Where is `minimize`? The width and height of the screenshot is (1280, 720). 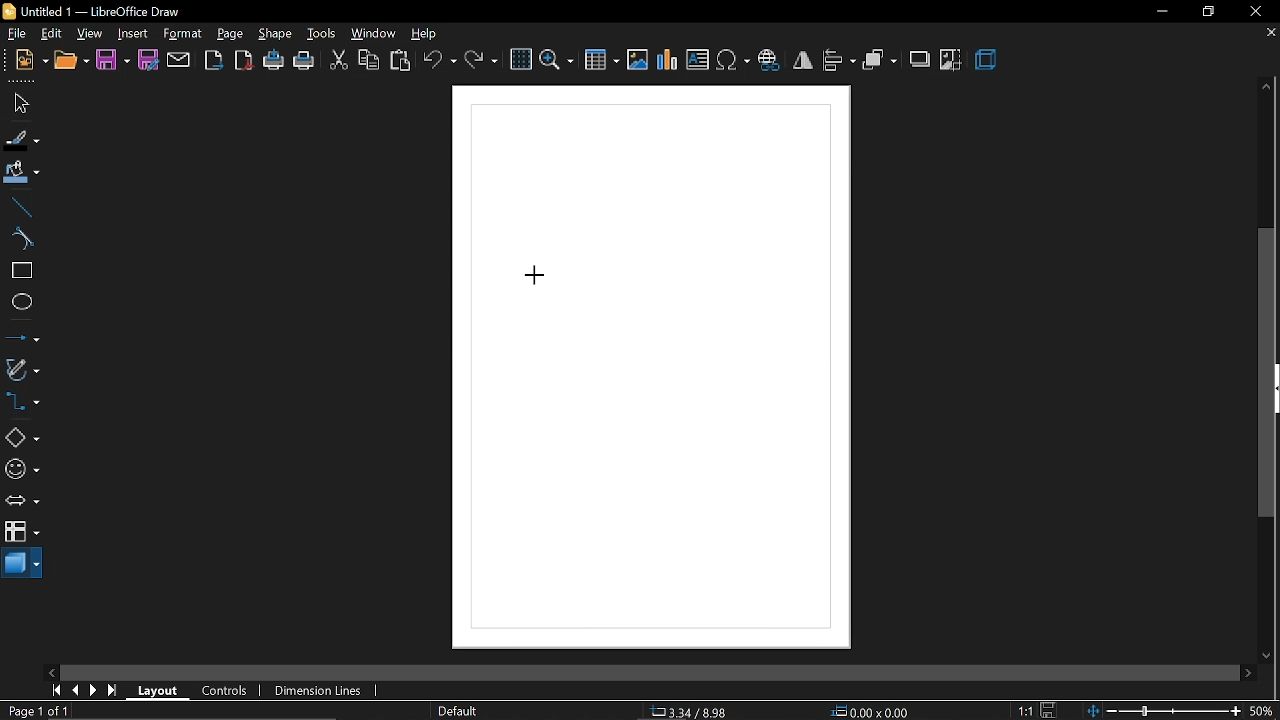 minimize is located at coordinates (1162, 13).